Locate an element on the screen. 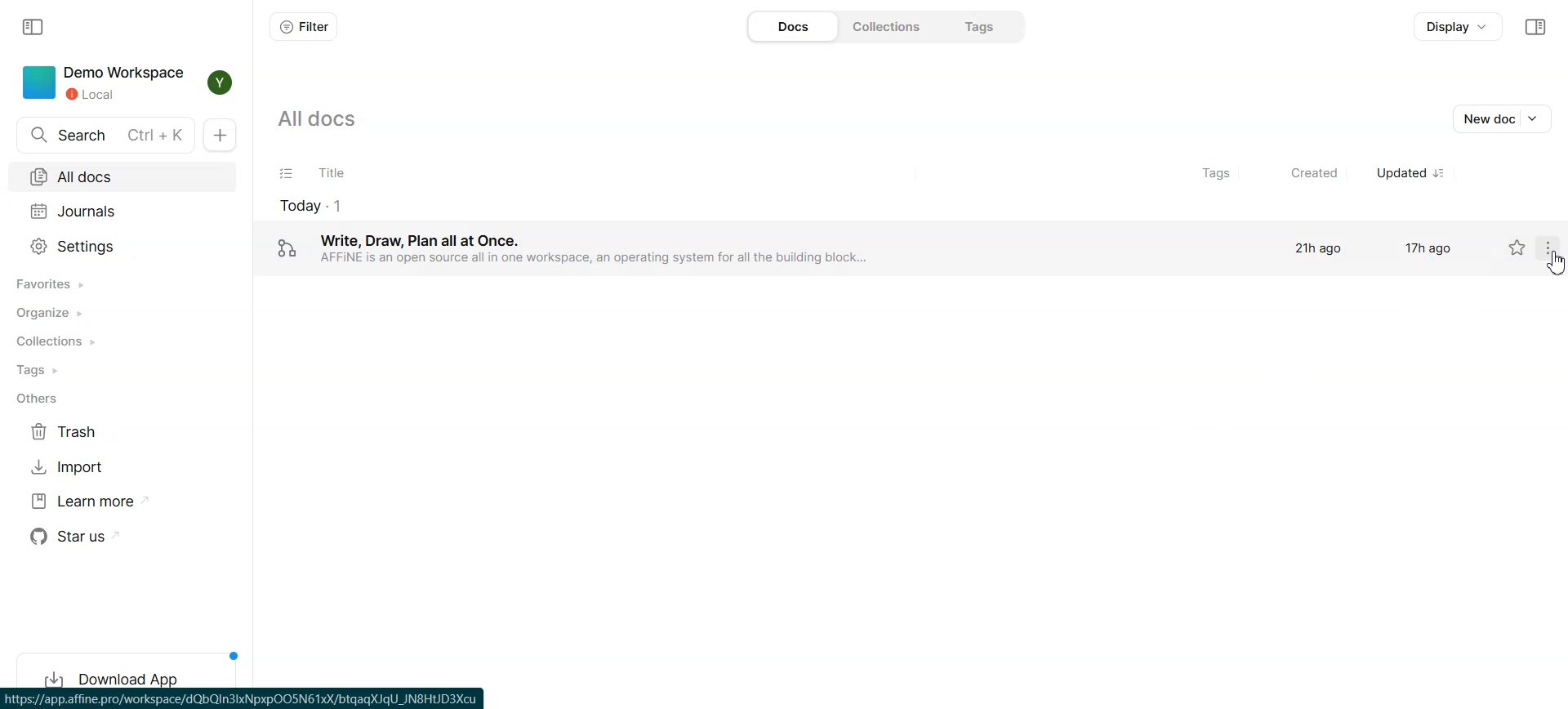 Image resolution: width=1568 pixels, height=709 pixels. Settings is located at coordinates (122, 244).